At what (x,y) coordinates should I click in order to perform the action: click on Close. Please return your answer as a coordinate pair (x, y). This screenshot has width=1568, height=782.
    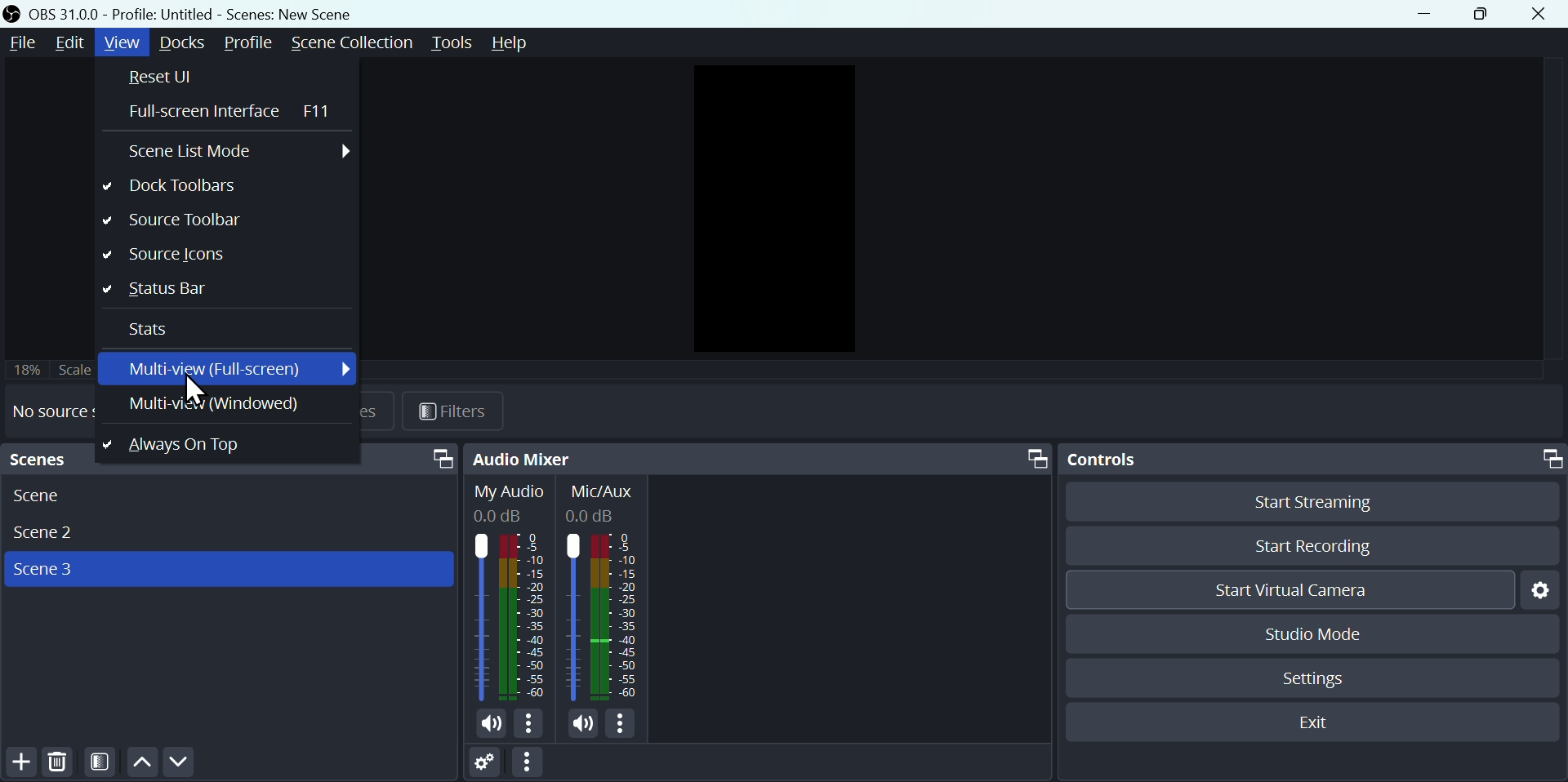
    Looking at the image, I should click on (1543, 15).